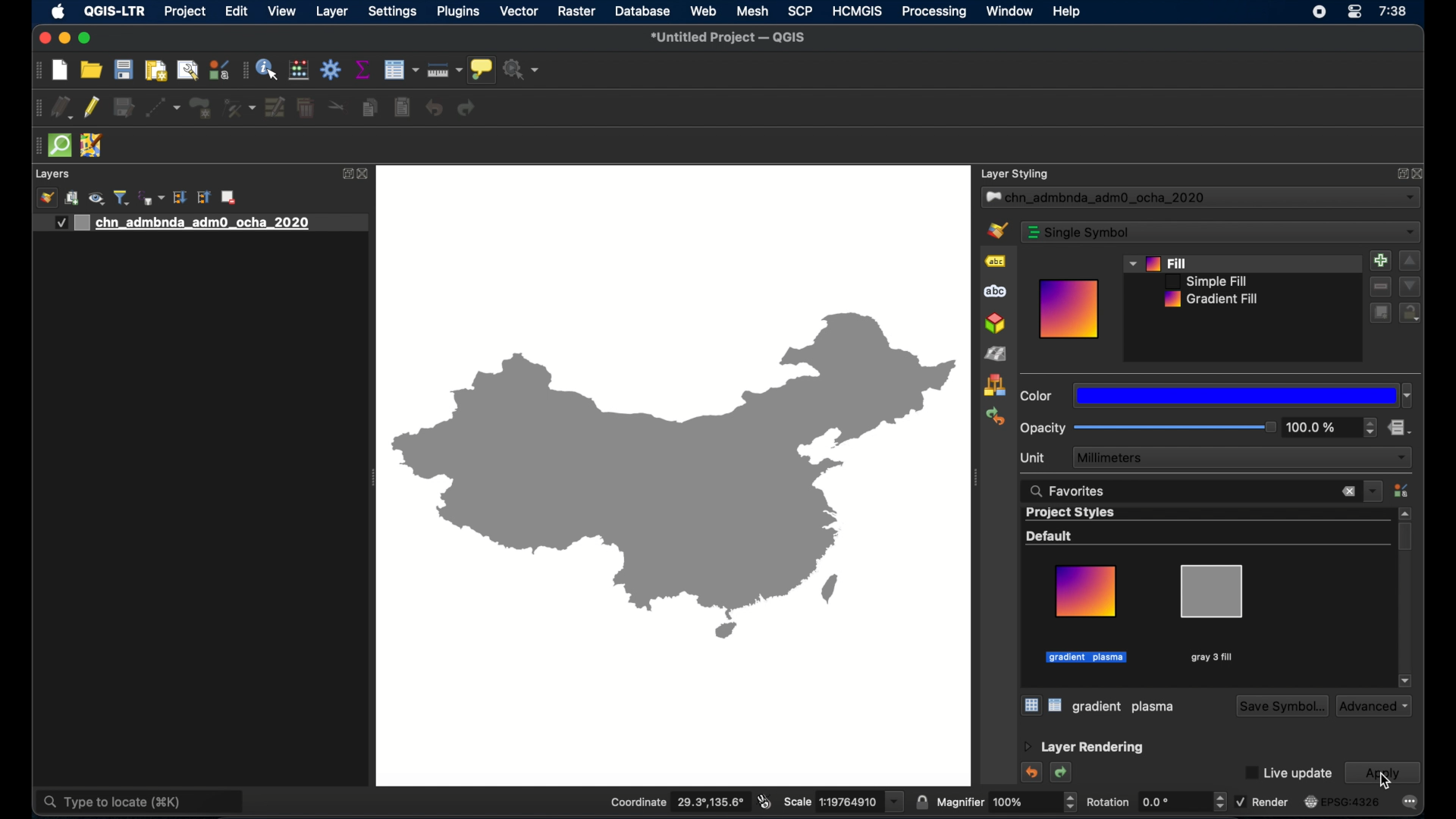 The image size is (1456, 819). I want to click on filter legend, so click(122, 197).